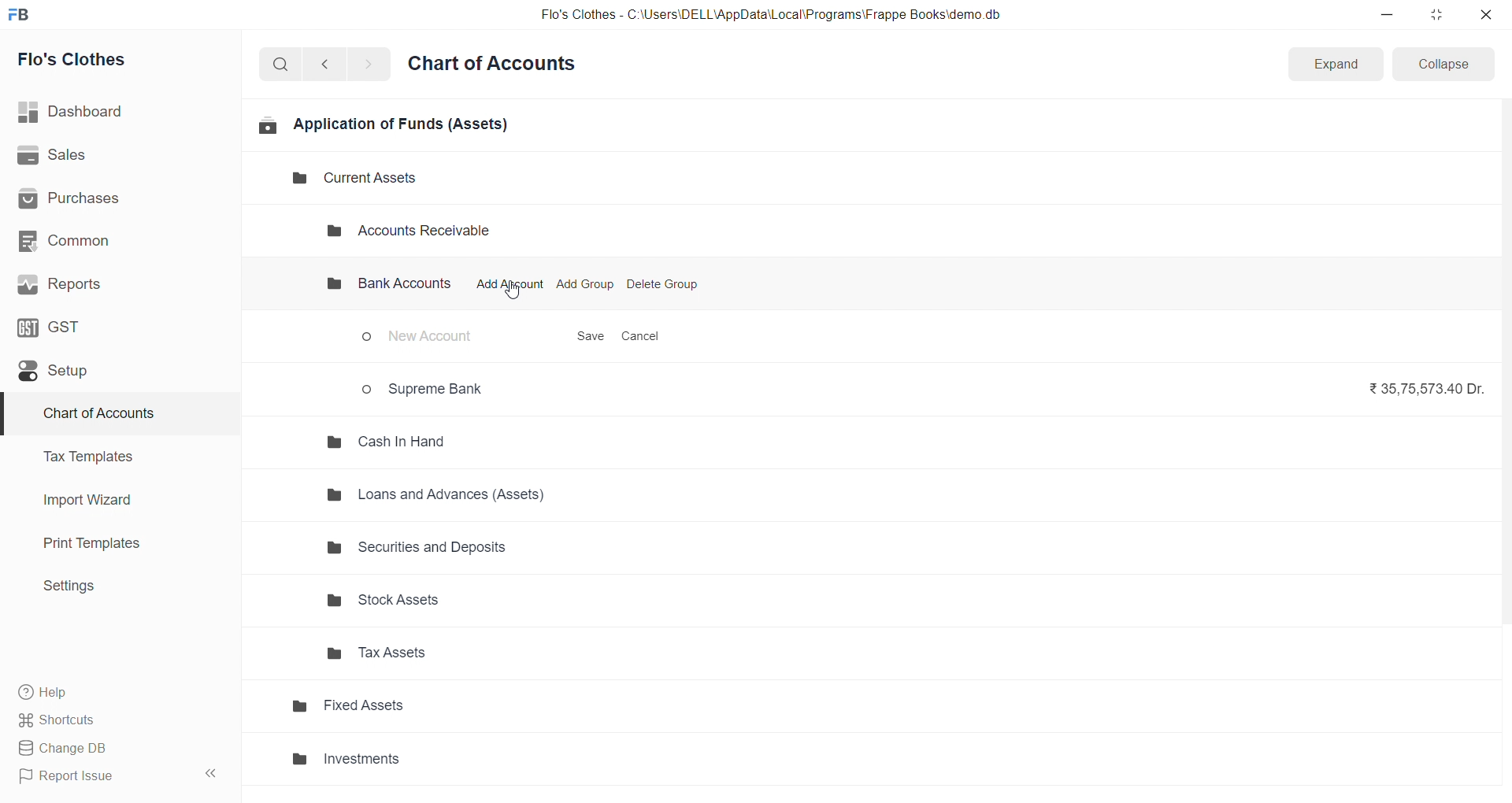 The image size is (1512, 803). Describe the element at coordinates (342, 179) in the screenshot. I see `Current Assets` at that location.